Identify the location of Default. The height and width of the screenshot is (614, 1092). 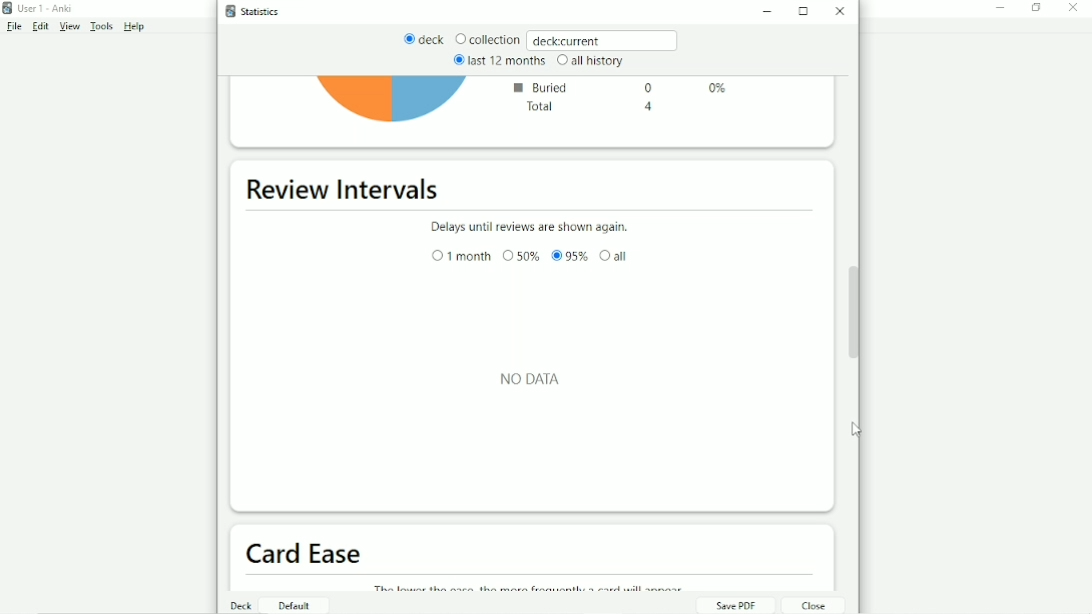
(292, 605).